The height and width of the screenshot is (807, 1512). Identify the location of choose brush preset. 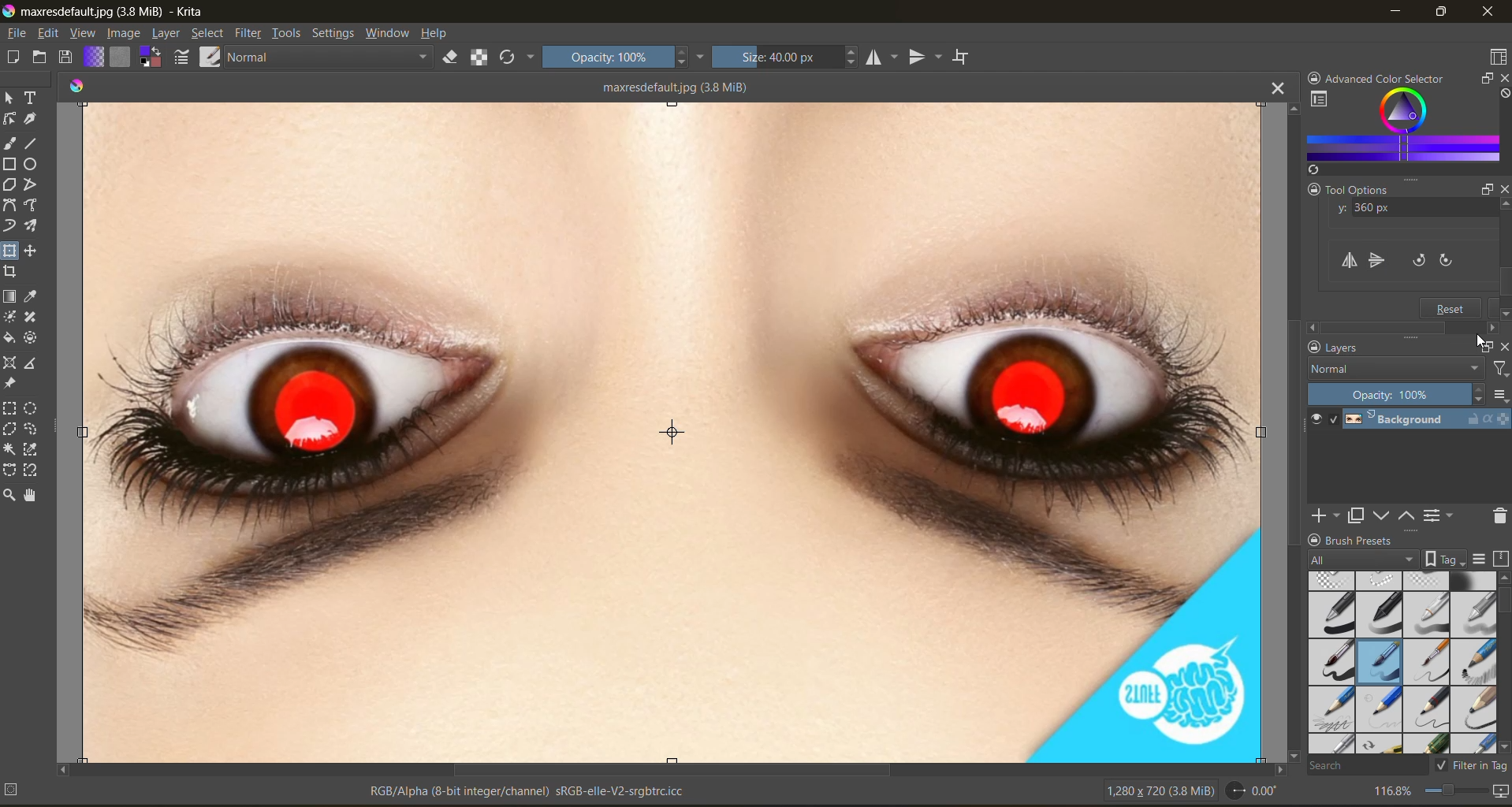
(209, 57).